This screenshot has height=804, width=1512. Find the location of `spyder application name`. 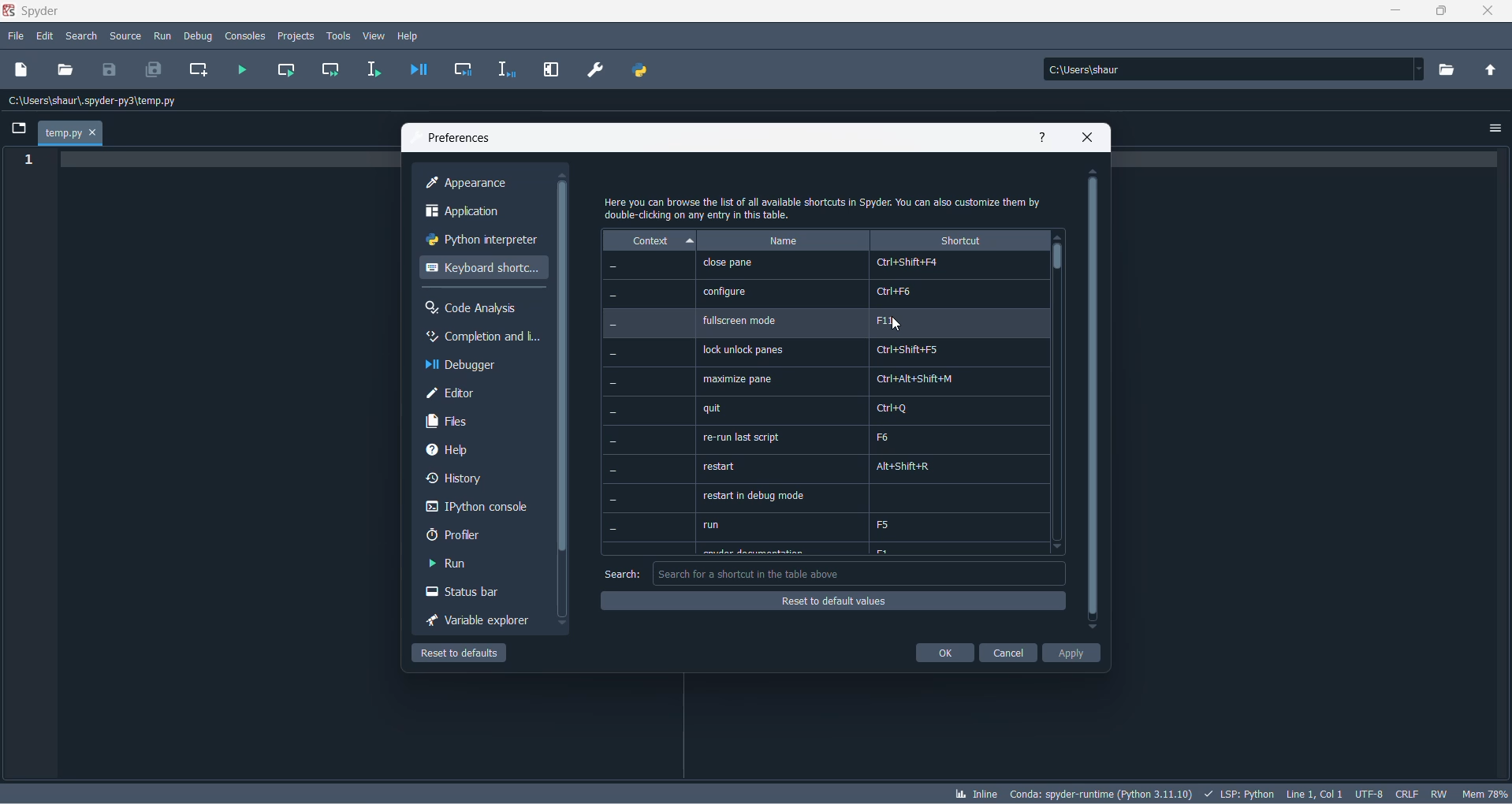

spyder application name is located at coordinates (34, 12).